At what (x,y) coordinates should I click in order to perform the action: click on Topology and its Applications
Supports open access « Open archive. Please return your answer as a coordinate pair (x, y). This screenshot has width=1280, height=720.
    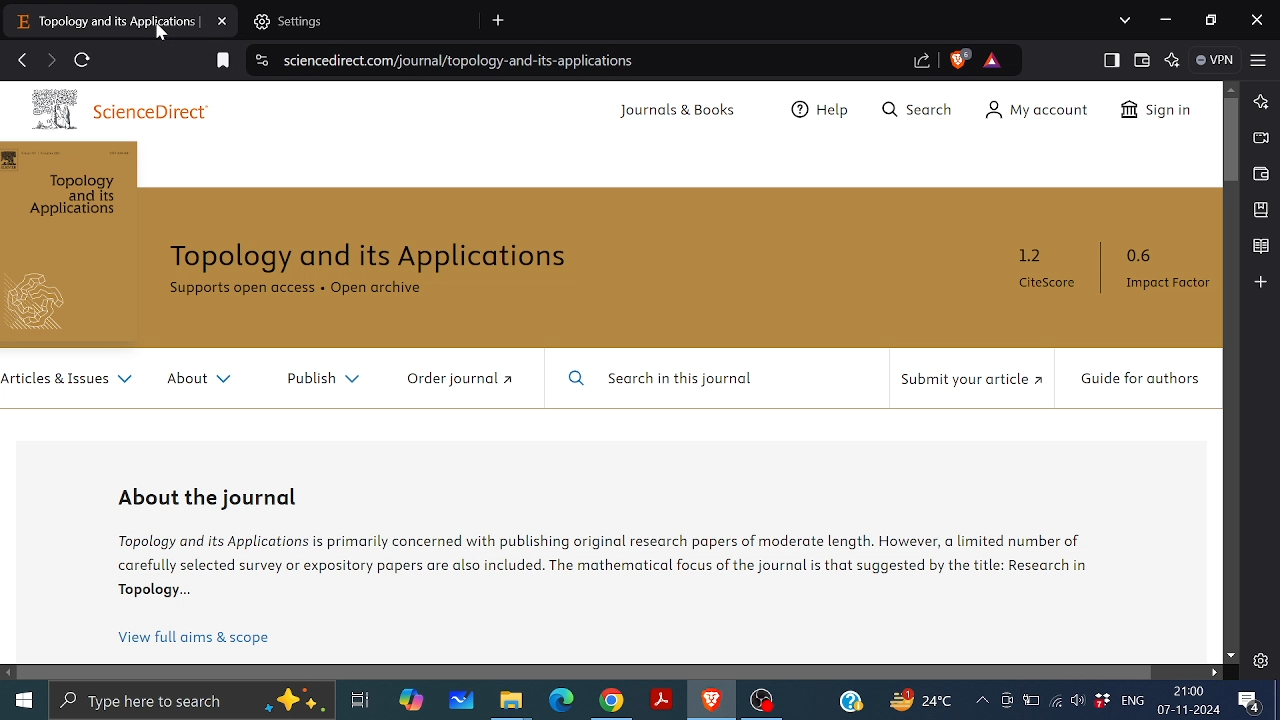
    Looking at the image, I should click on (381, 268).